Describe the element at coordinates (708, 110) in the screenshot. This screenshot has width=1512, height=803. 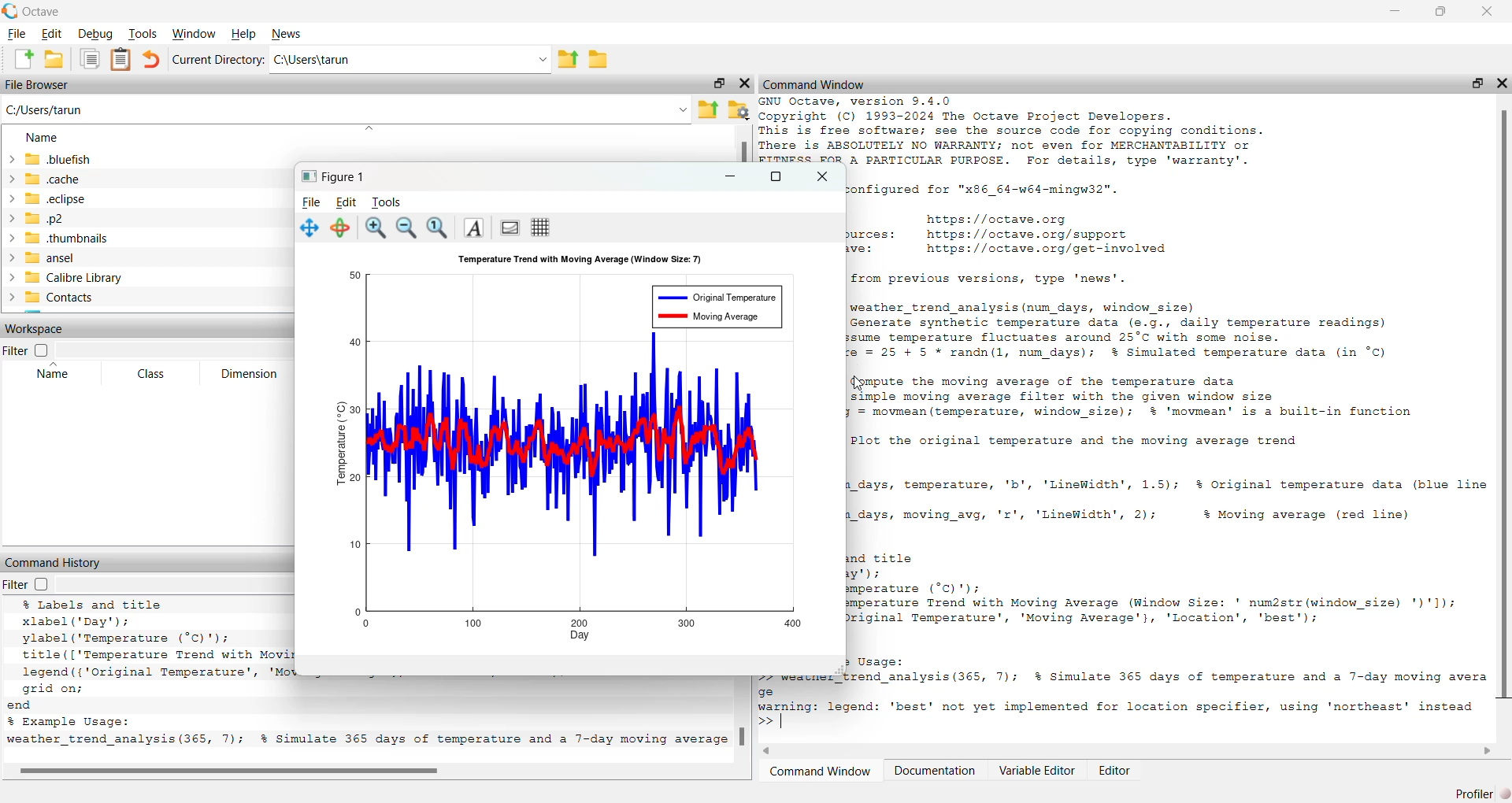
I see `Folder upload` at that location.